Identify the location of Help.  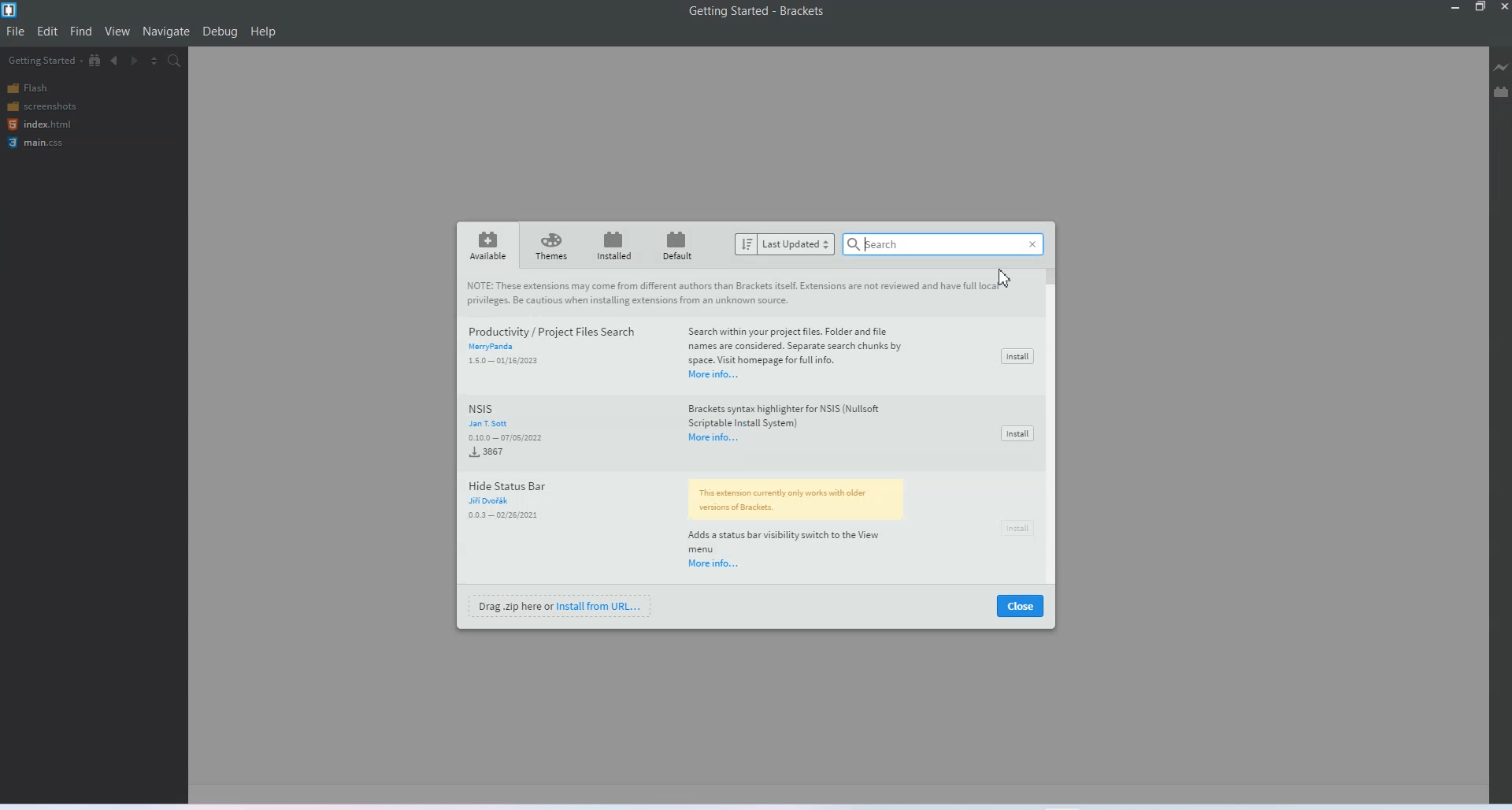
(263, 32).